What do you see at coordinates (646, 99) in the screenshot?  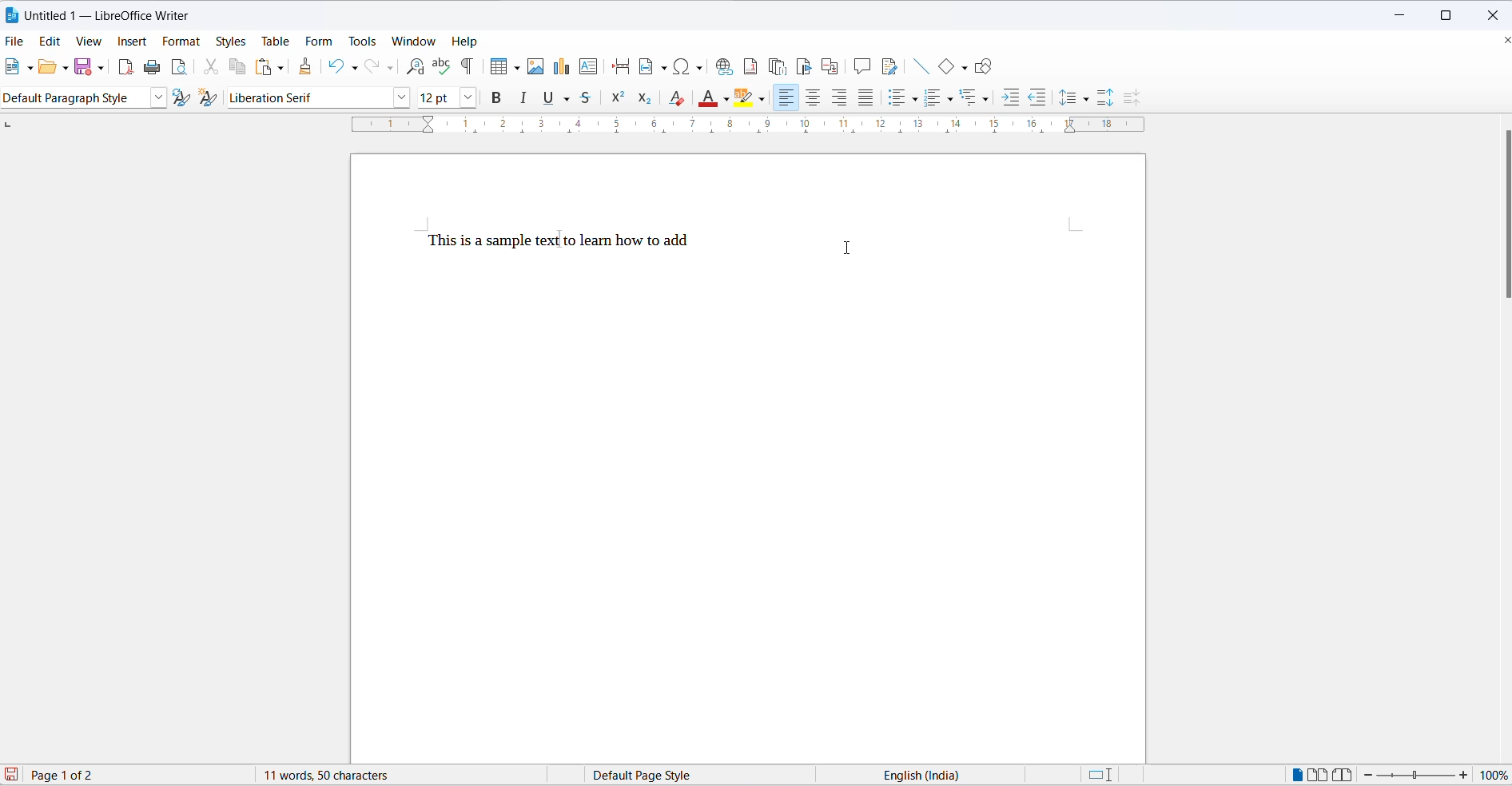 I see `subscript` at bounding box center [646, 99].